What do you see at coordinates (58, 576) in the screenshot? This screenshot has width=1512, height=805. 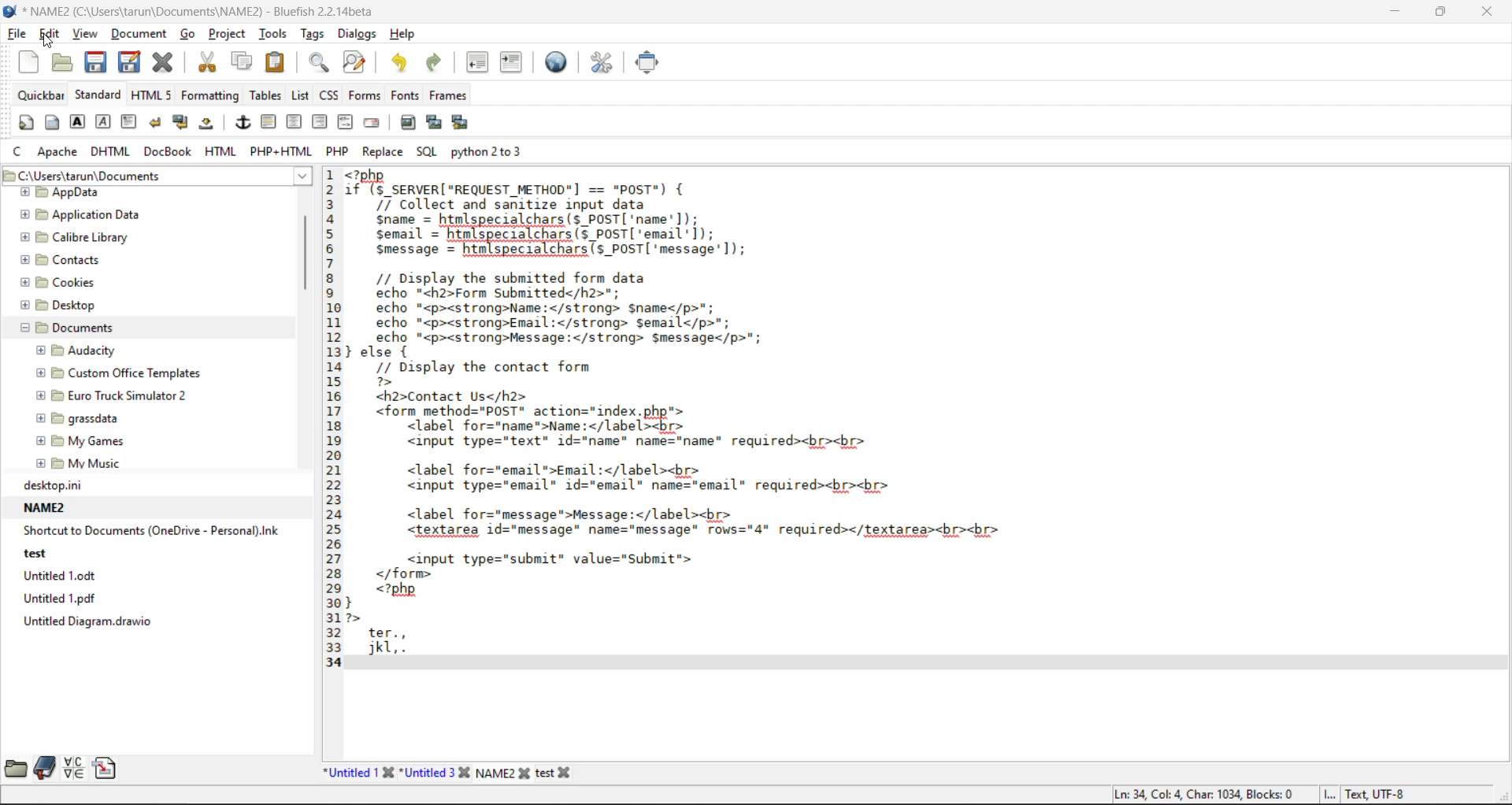 I see `Untitled 1.0dt` at bounding box center [58, 576].